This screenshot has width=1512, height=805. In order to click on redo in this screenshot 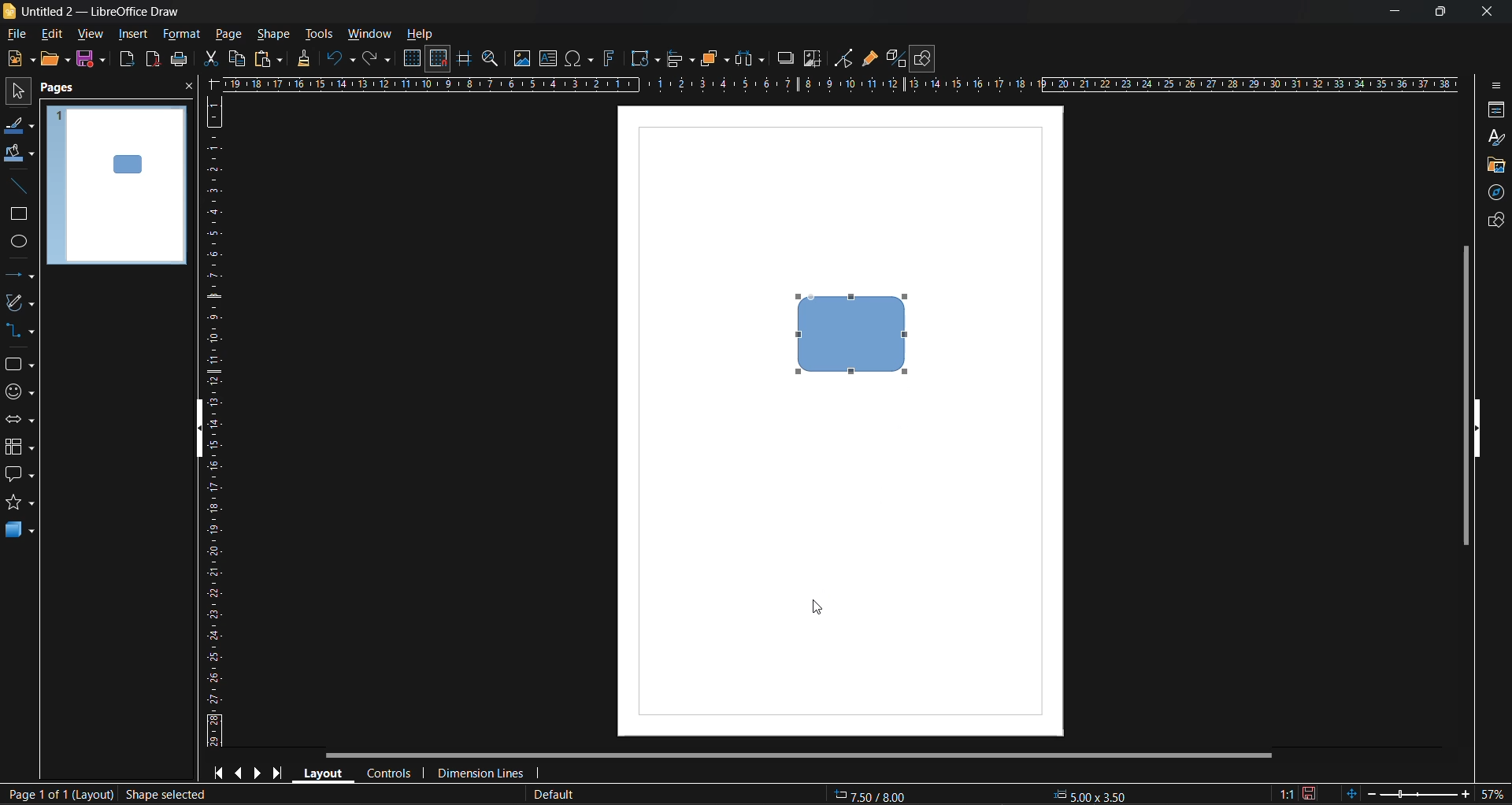, I will do `click(377, 60)`.